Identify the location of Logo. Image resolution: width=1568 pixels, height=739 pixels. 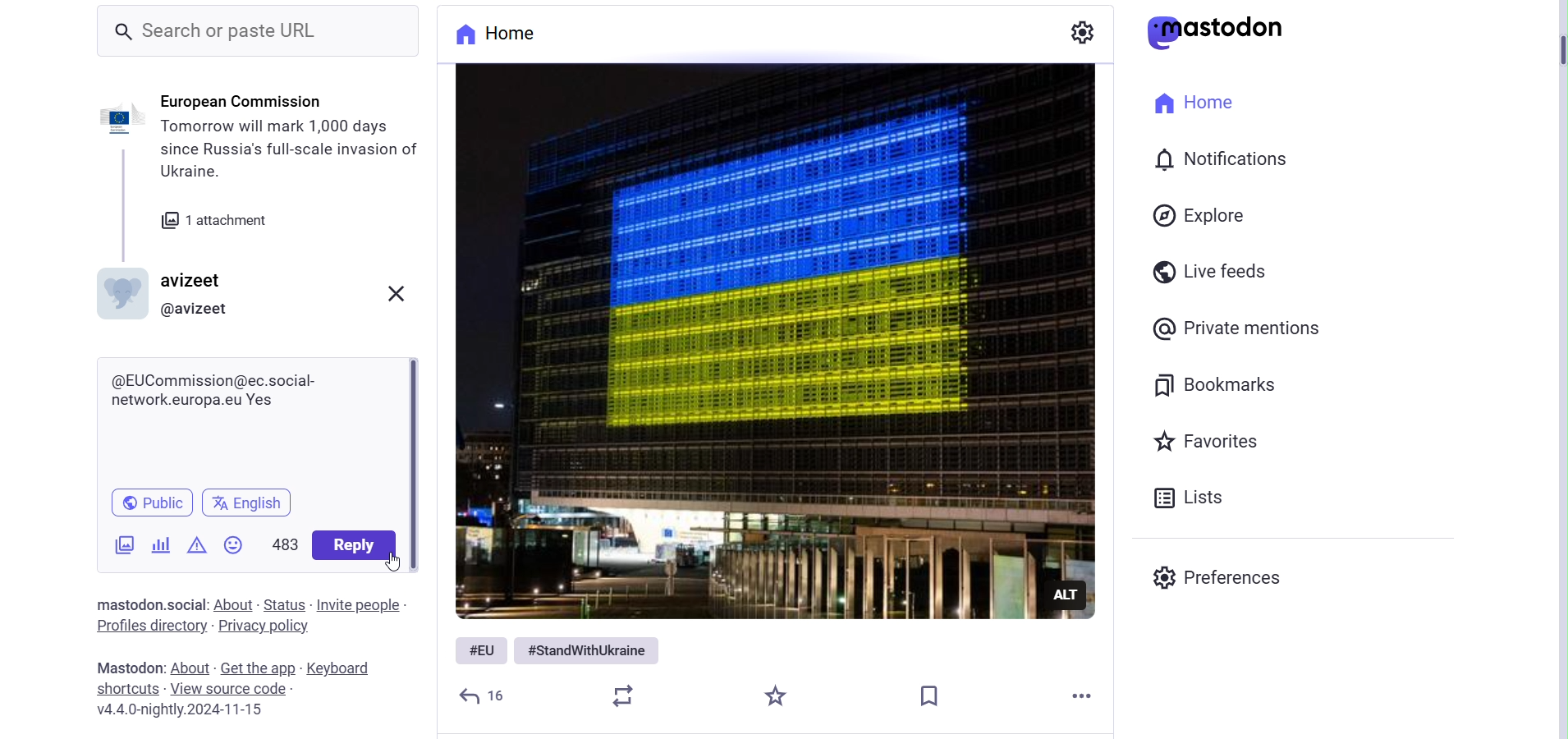
(1220, 32).